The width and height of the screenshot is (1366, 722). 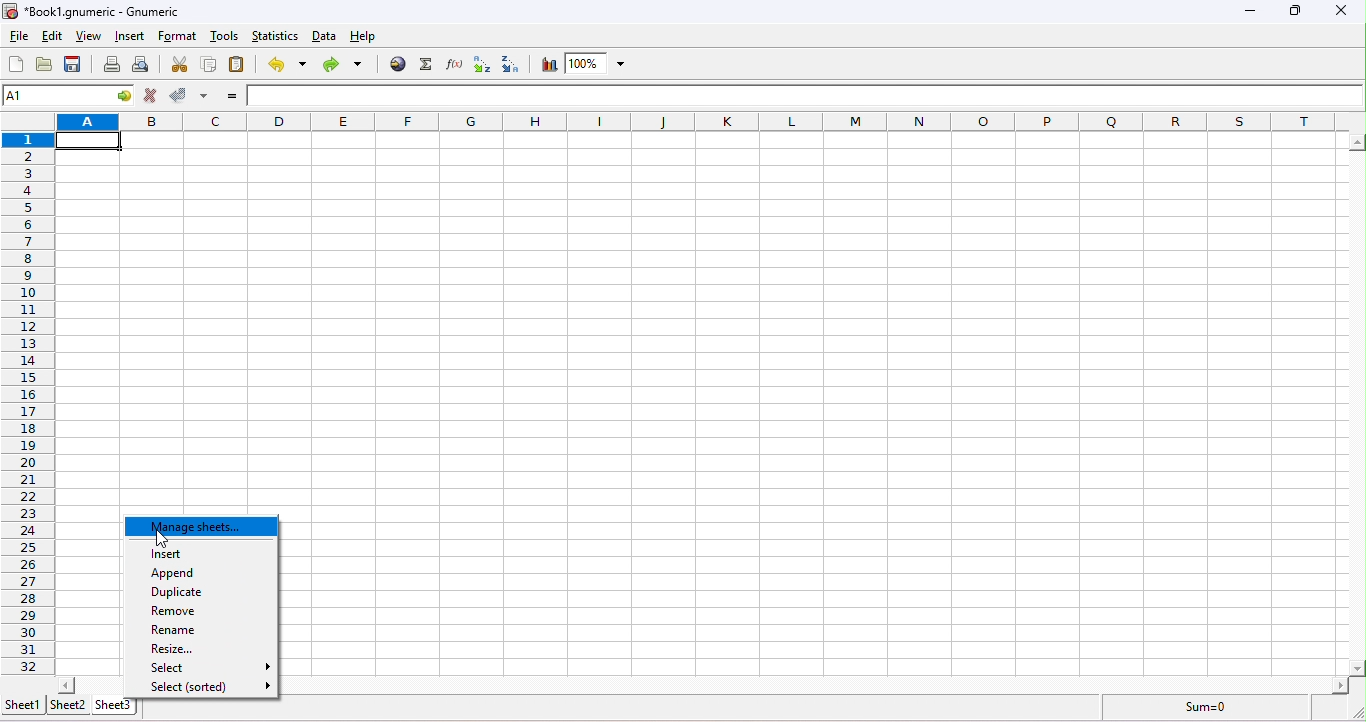 What do you see at coordinates (132, 37) in the screenshot?
I see `insert` at bounding box center [132, 37].